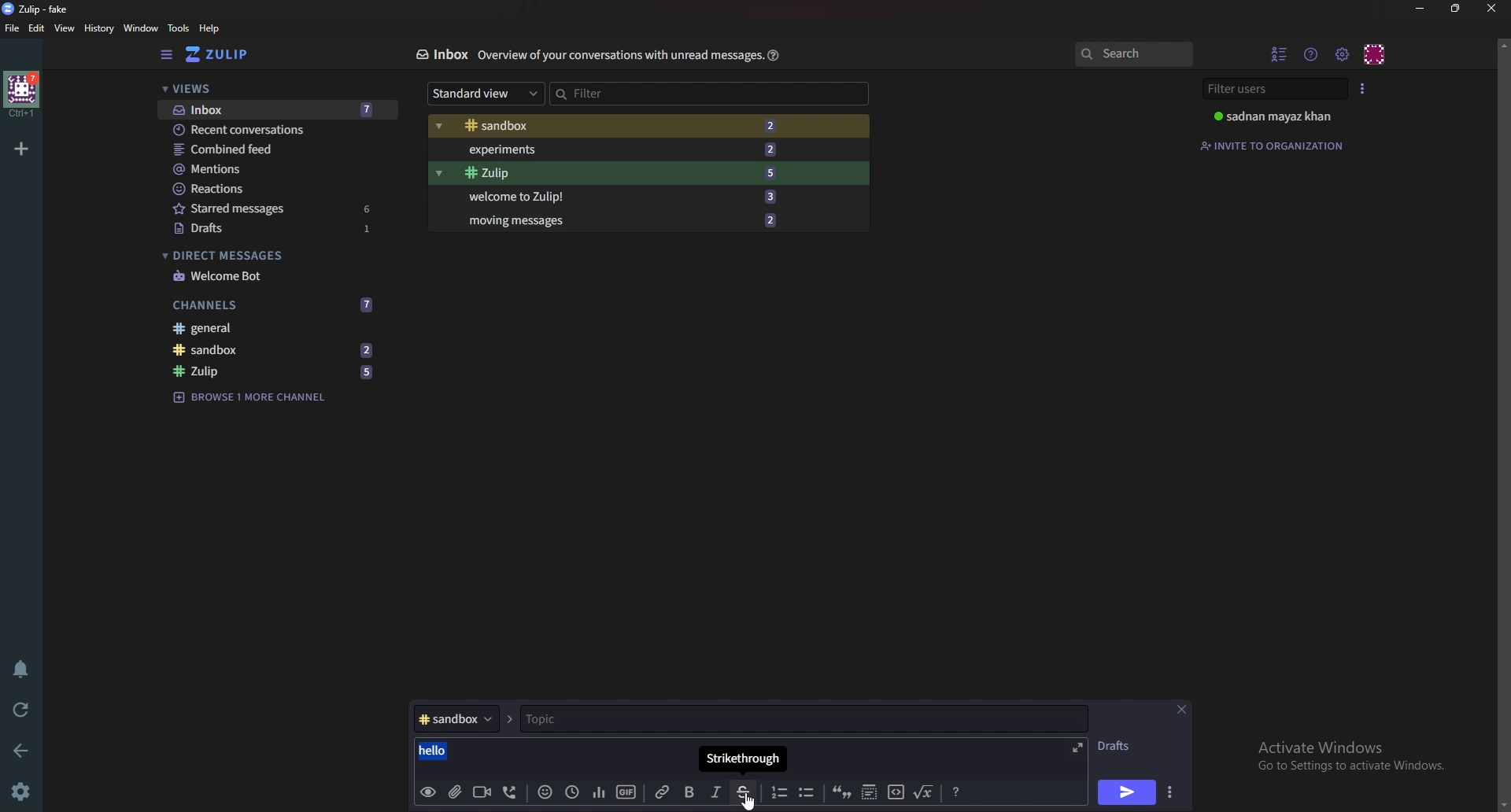  Describe the element at coordinates (661, 793) in the screenshot. I see `Link` at that location.